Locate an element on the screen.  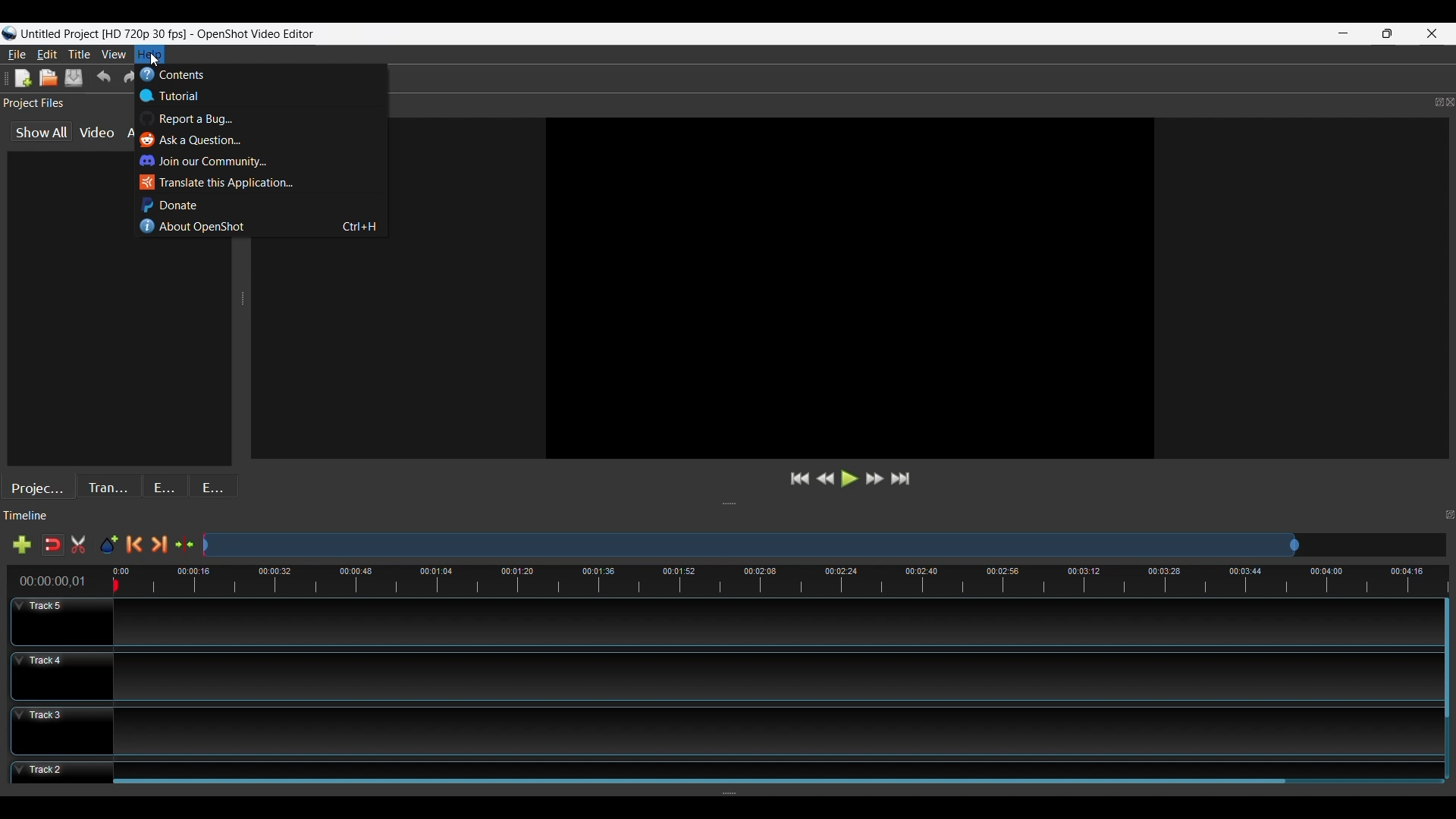
Vertical Scroll bar is located at coordinates (1447, 662).